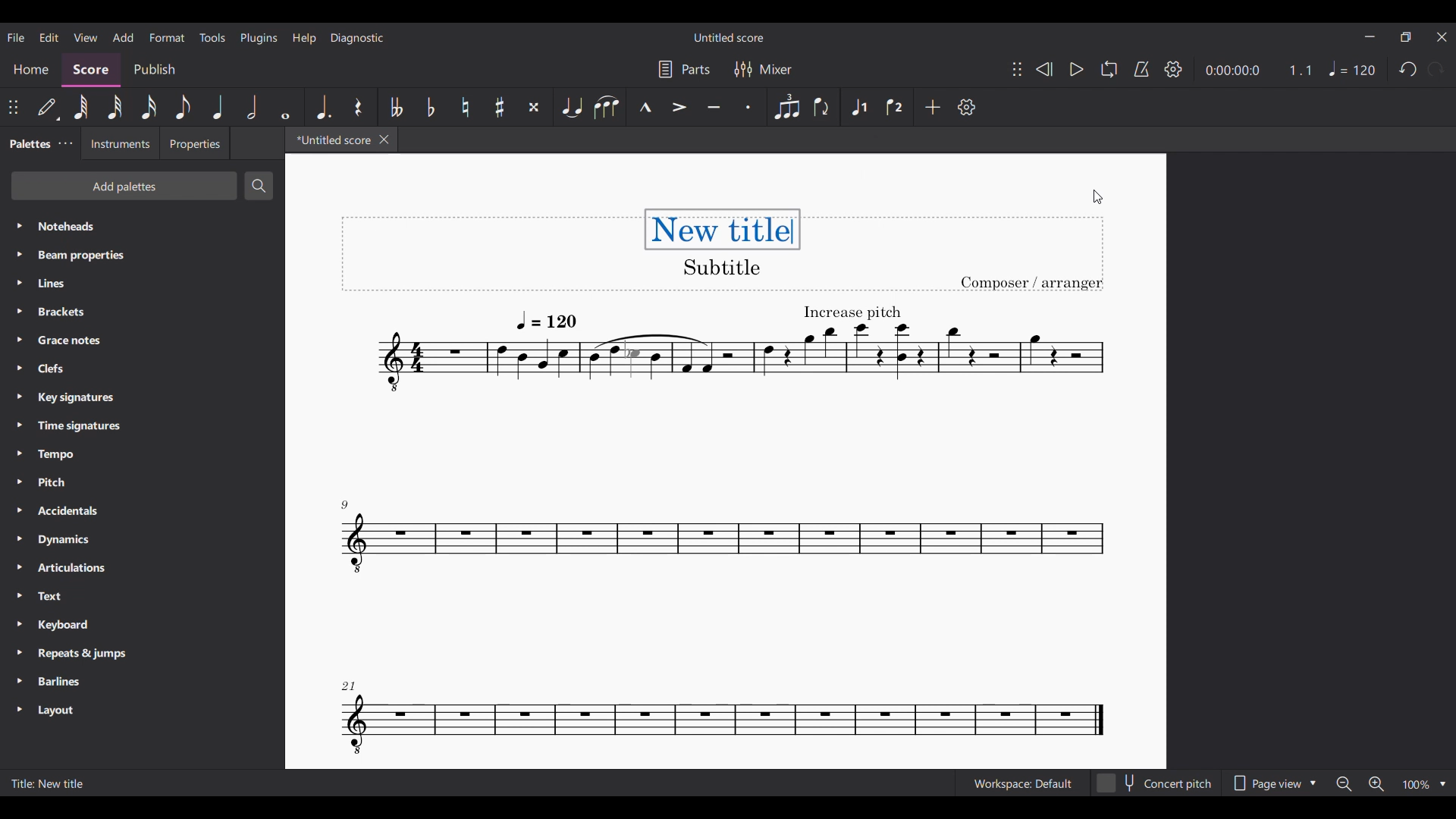 This screenshot has width=1456, height=819. What do you see at coordinates (253, 107) in the screenshot?
I see `Half note` at bounding box center [253, 107].